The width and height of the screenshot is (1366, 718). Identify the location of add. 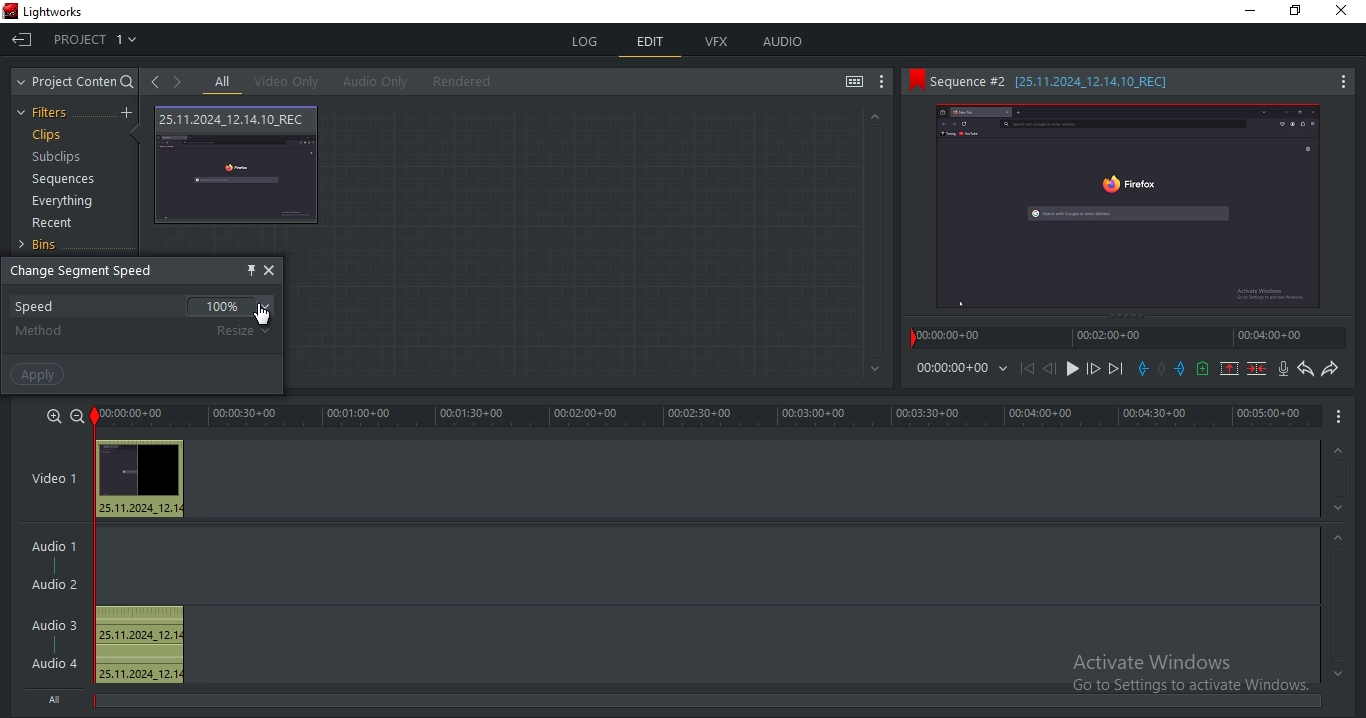
(129, 113).